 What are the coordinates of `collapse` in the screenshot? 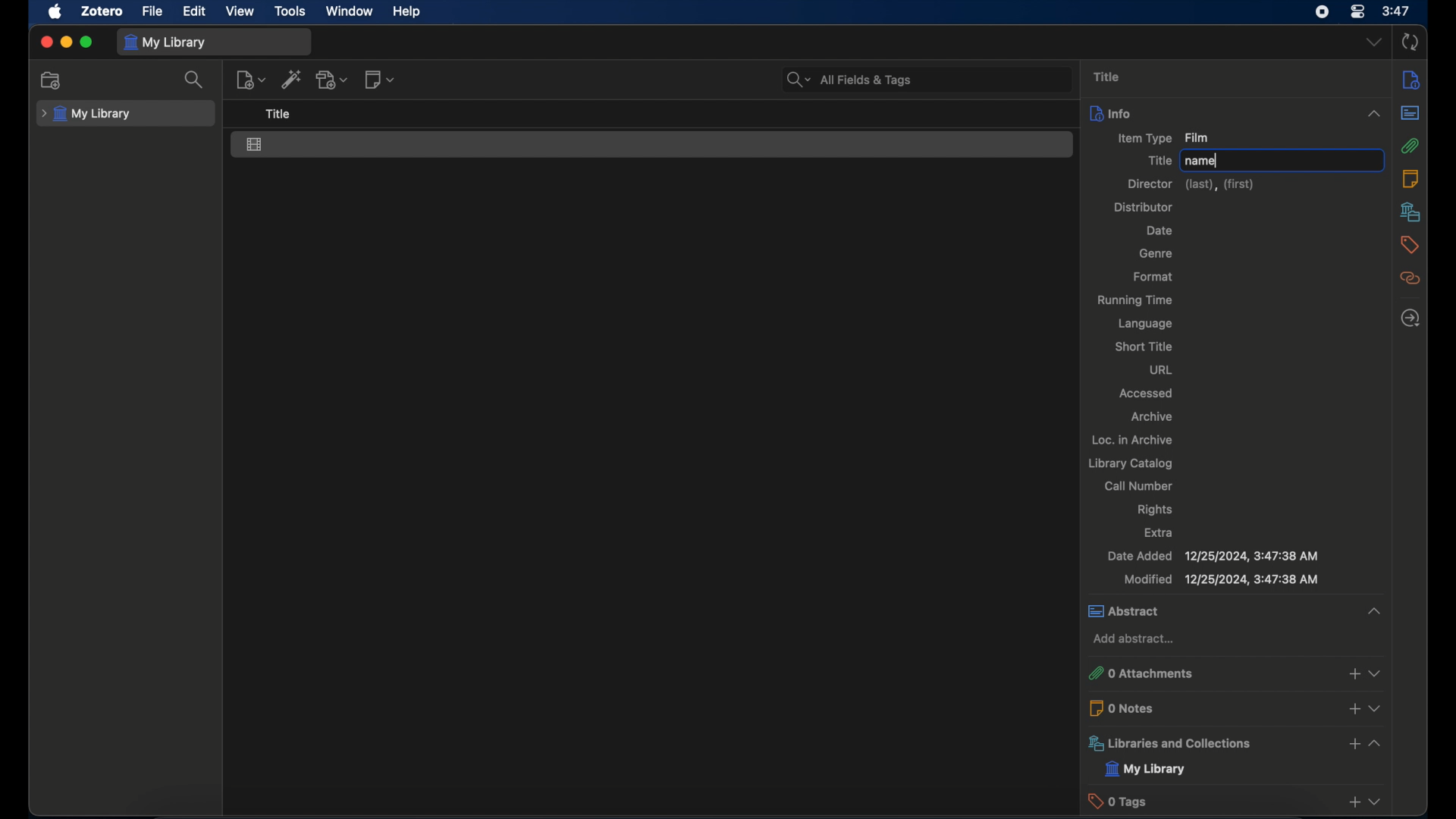 It's located at (1381, 742).